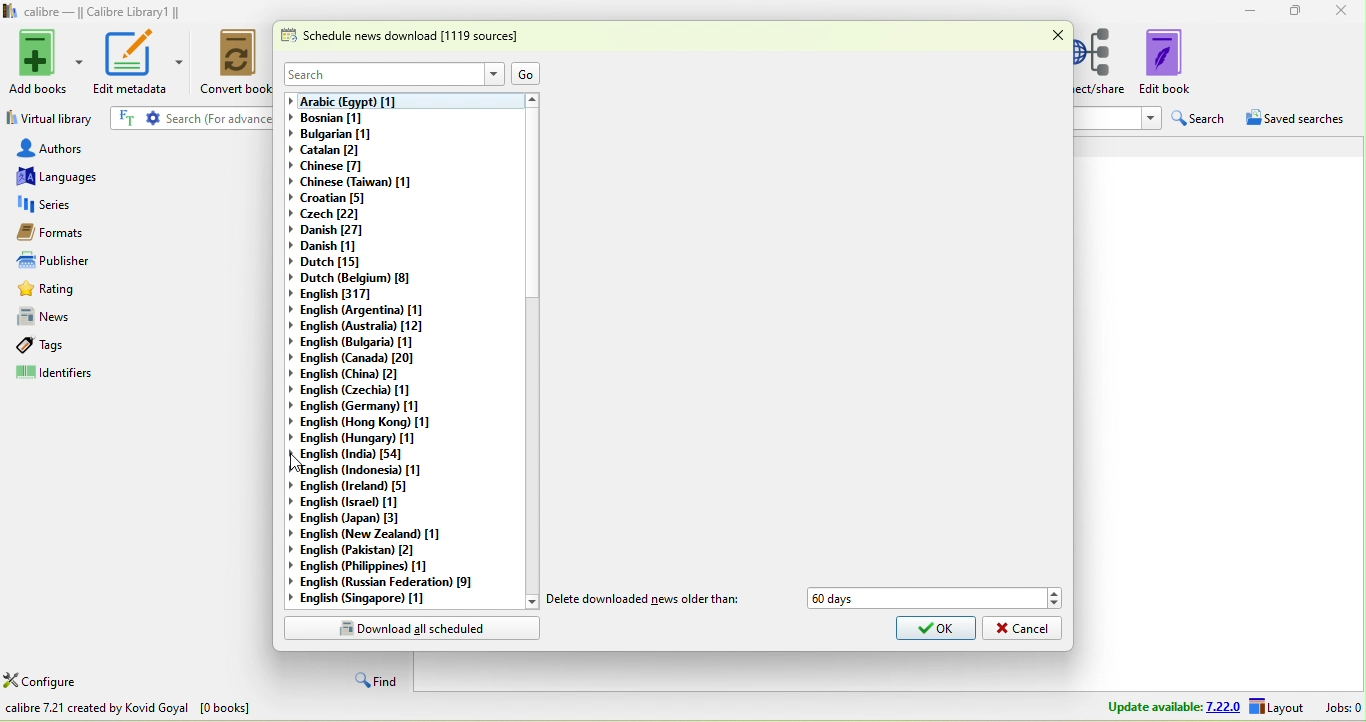  Describe the element at coordinates (1345, 709) in the screenshot. I see `jobs 0` at that location.